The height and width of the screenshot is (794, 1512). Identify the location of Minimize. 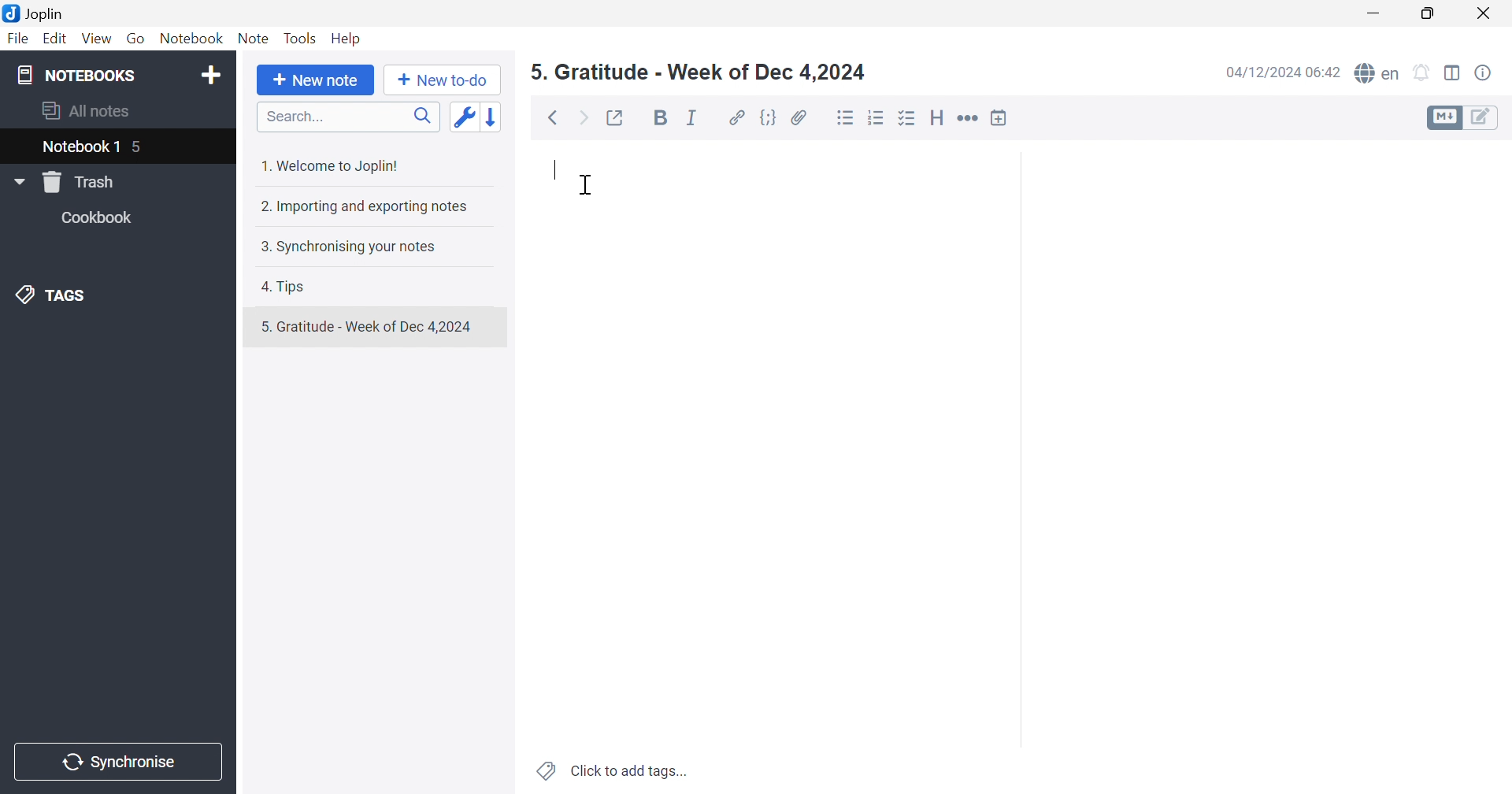
(1377, 9).